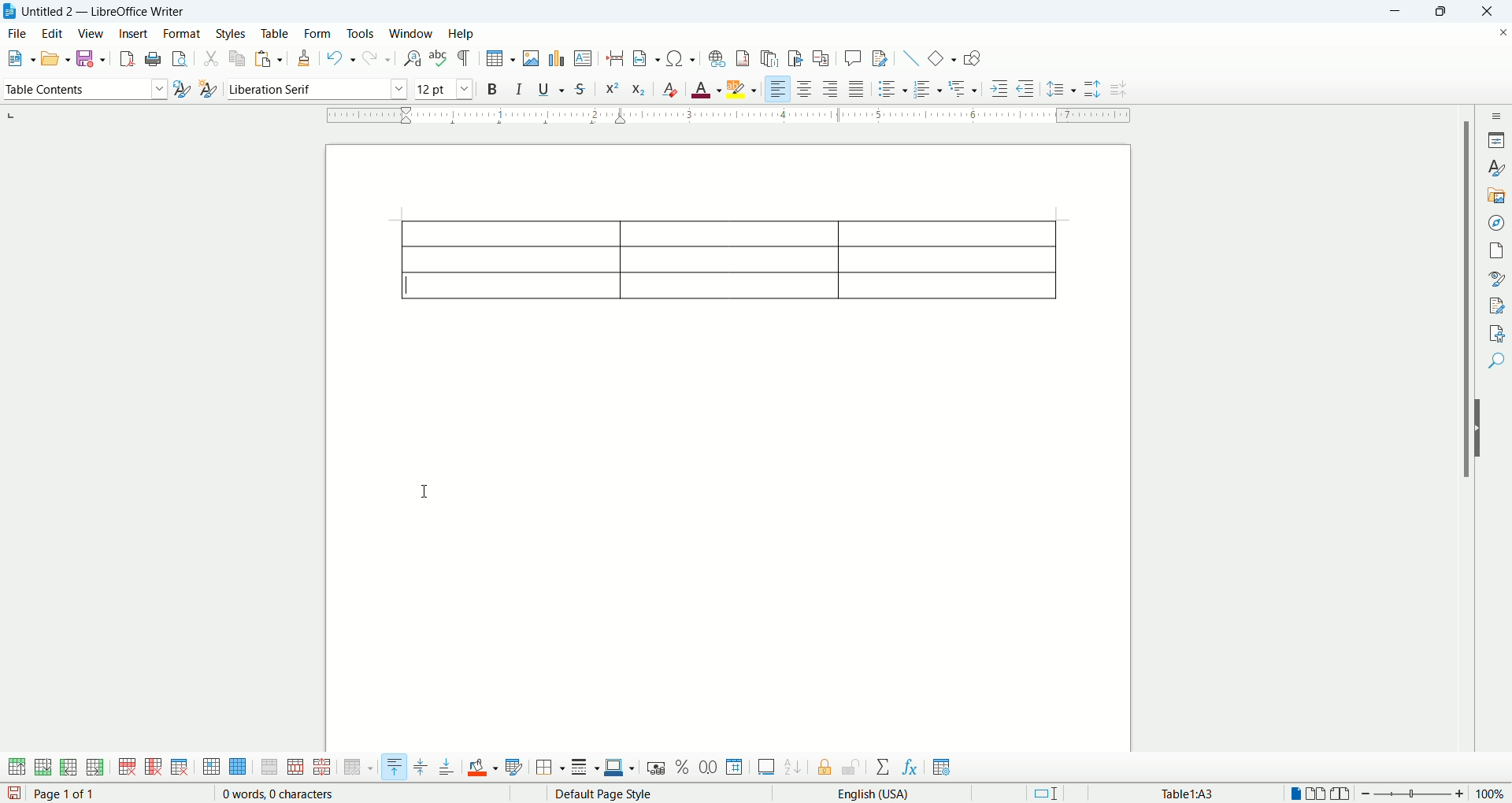 Image resolution: width=1512 pixels, height=803 pixels. What do you see at coordinates (238, 767) in the screenshot?
I see `select table` at bounding box center [238, 767].